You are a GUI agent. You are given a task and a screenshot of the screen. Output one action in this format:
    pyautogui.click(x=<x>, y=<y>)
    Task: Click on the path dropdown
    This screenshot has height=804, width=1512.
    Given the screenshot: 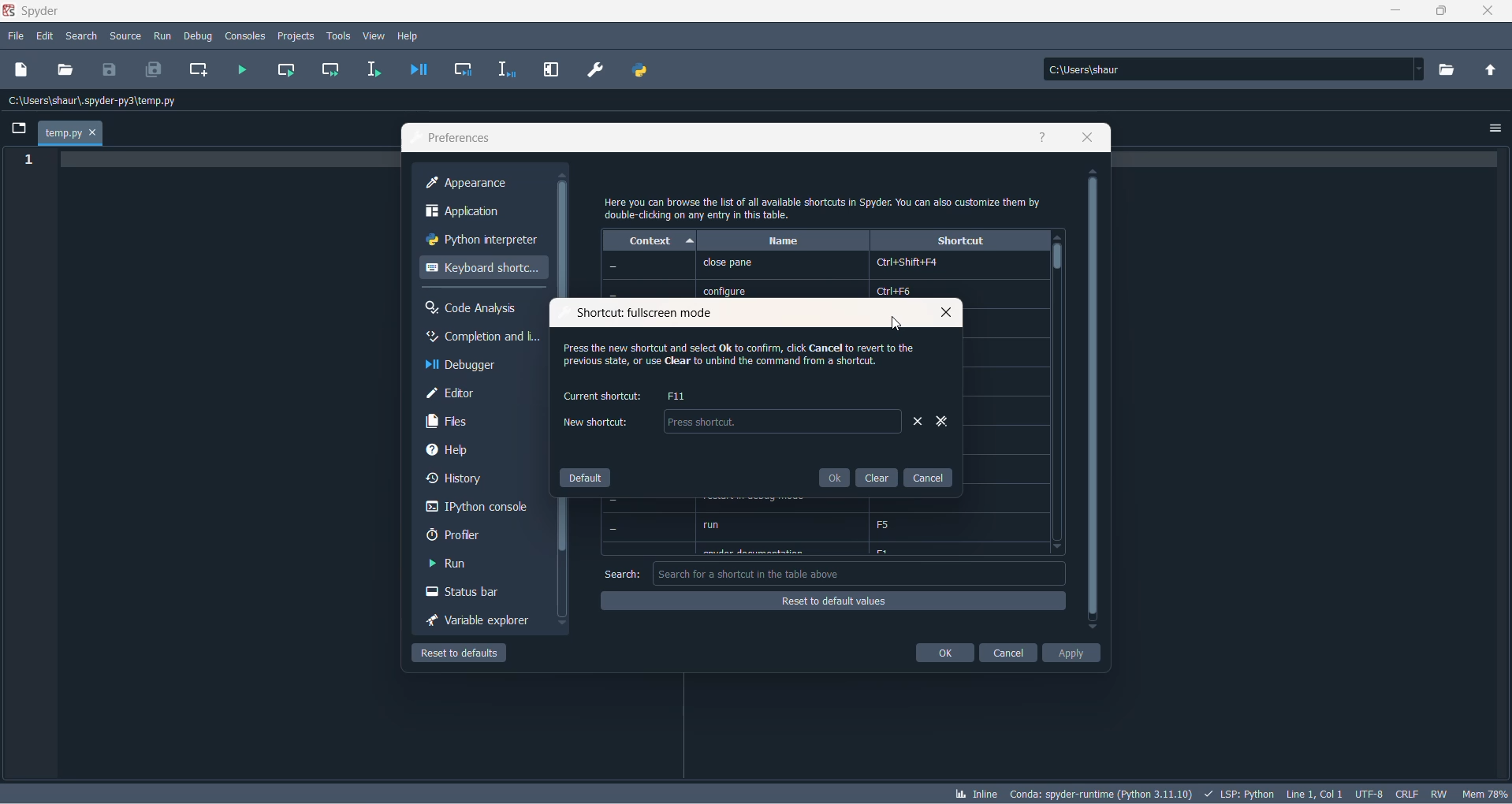 What is the action you would take?
    pyautogui.click(x=1424, y=69)
    